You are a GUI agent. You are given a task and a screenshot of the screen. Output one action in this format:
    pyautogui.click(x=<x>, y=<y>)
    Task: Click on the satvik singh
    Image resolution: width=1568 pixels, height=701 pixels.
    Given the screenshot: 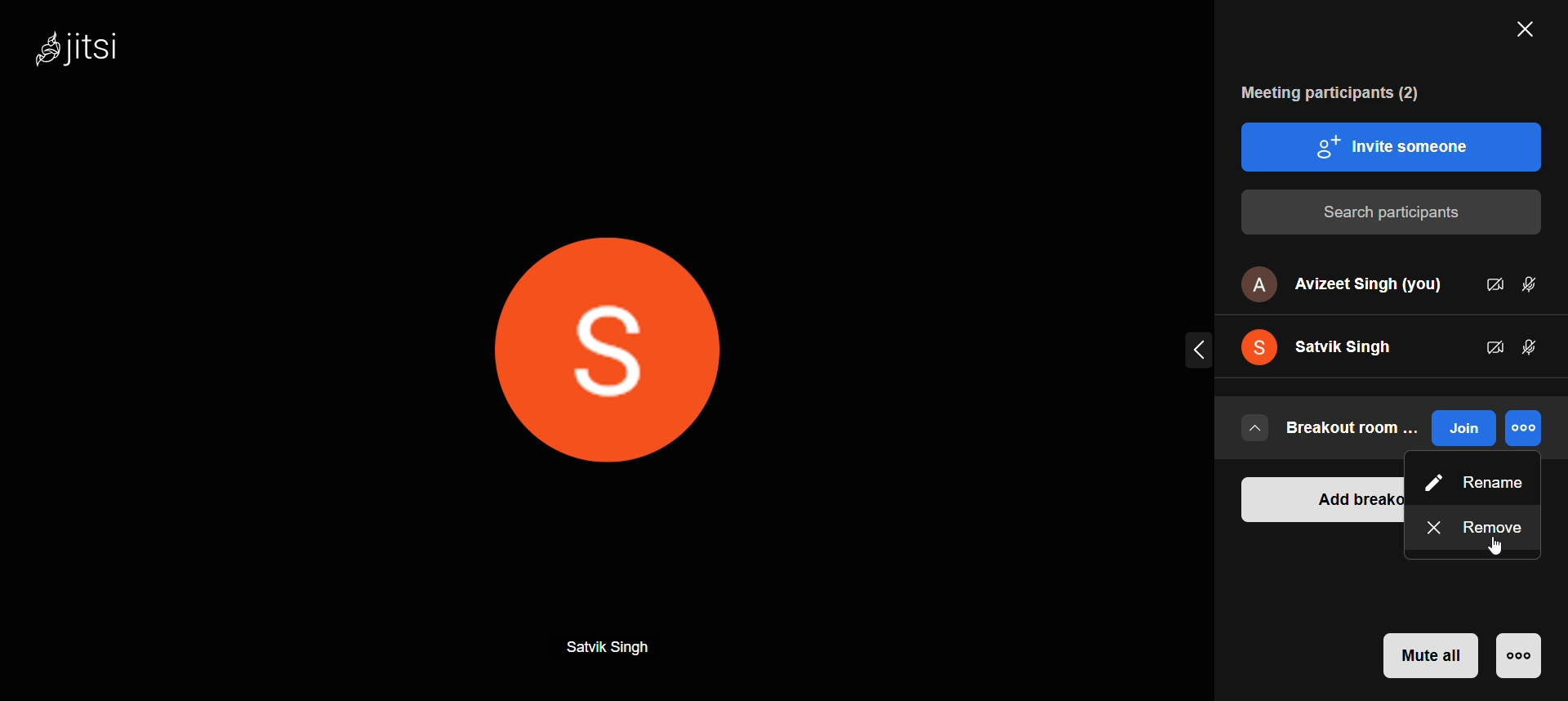 What is the action you would take?
    pyautogui.click(x=1331, y=345)
    